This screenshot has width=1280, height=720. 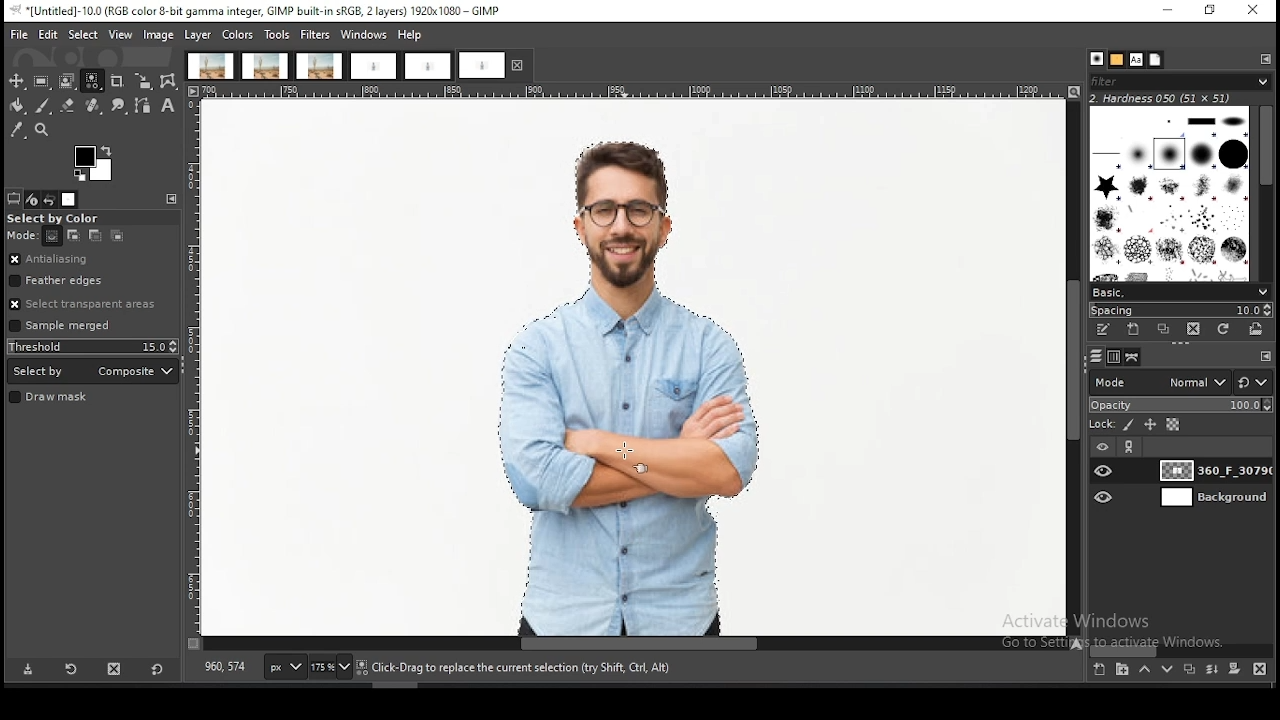 I want to click on lock position and size, so click(x=1149, y=426).